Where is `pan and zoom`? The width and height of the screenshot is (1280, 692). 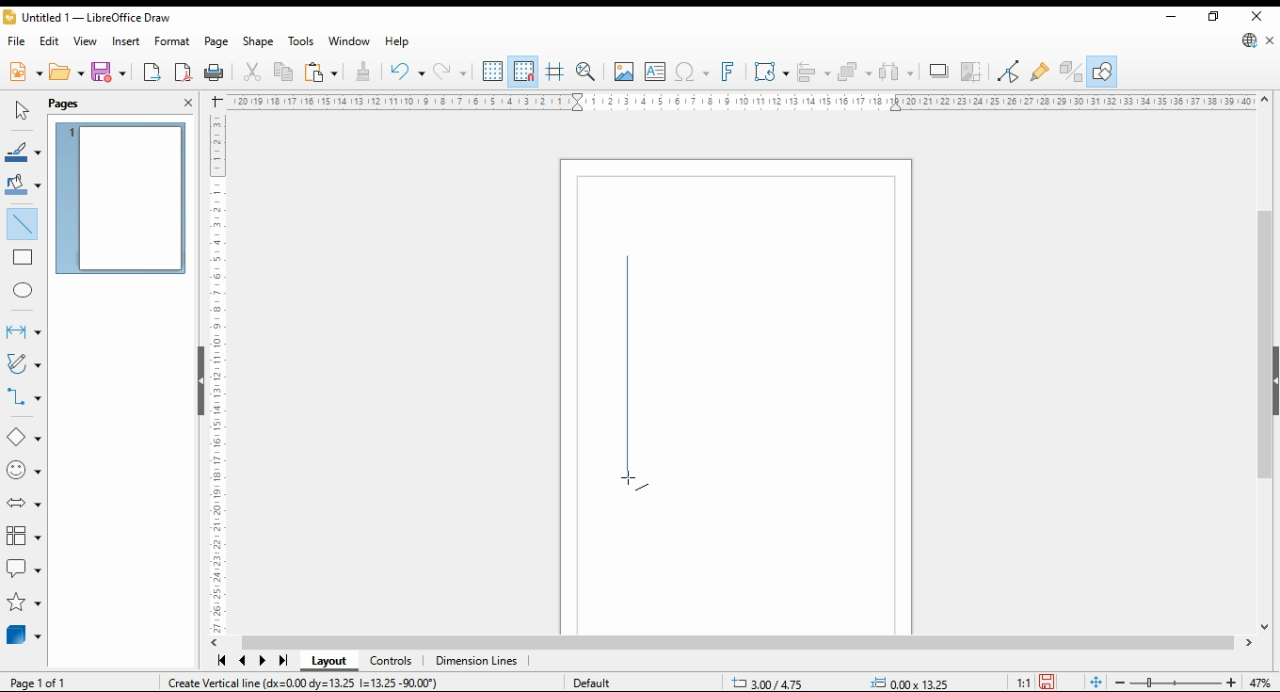
pan and zoom is located at coordinates (586, 72).